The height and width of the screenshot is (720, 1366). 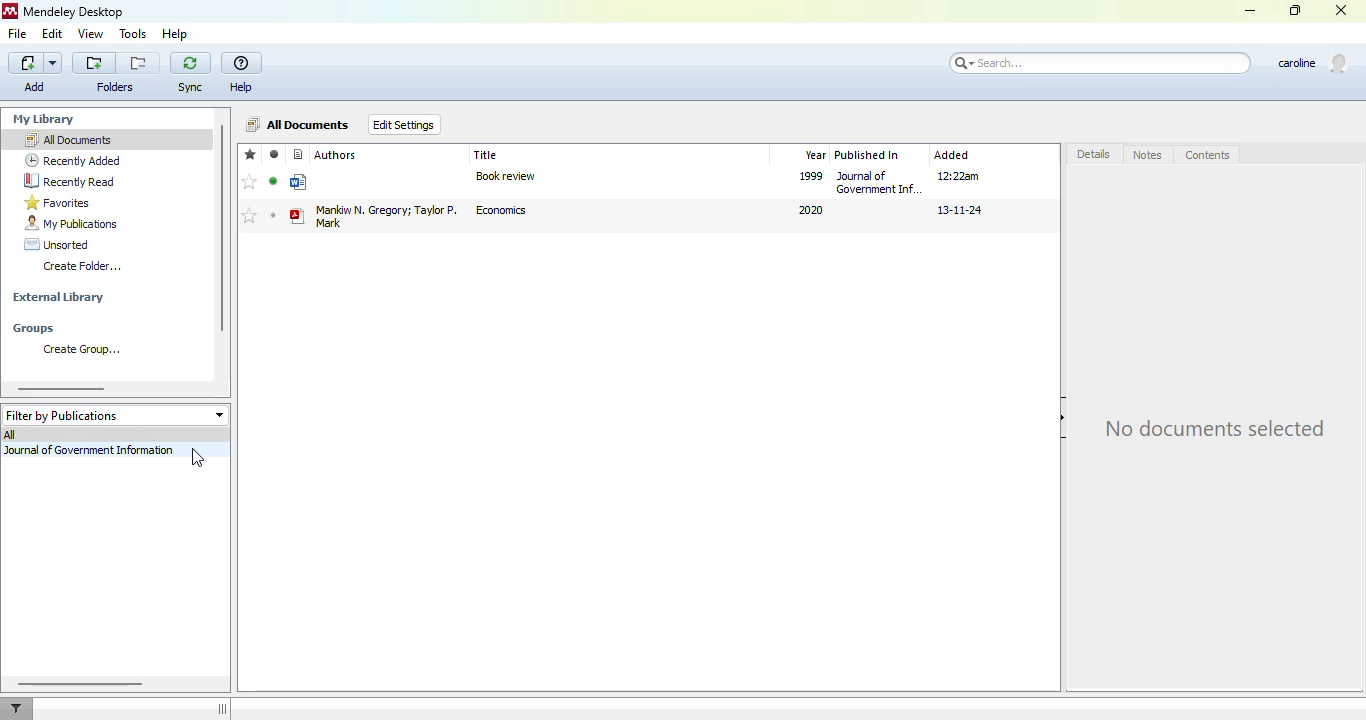 What do you see at coordinates (43, 119) in the screenshot?
I see `my library` at bounding box center [43, 119].